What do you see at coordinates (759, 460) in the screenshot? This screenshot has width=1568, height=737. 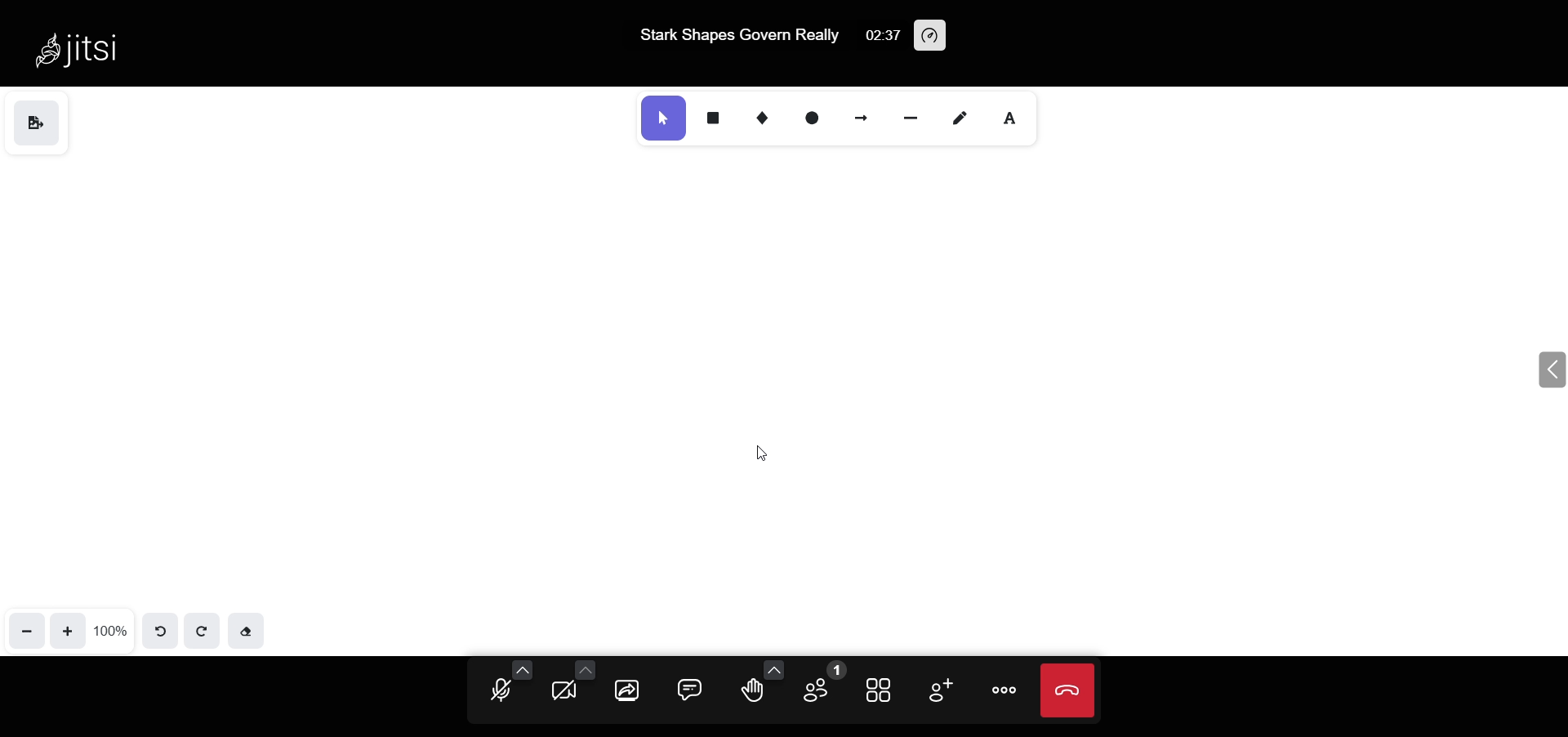 I see `cursor` at bounding box center [759, 460].